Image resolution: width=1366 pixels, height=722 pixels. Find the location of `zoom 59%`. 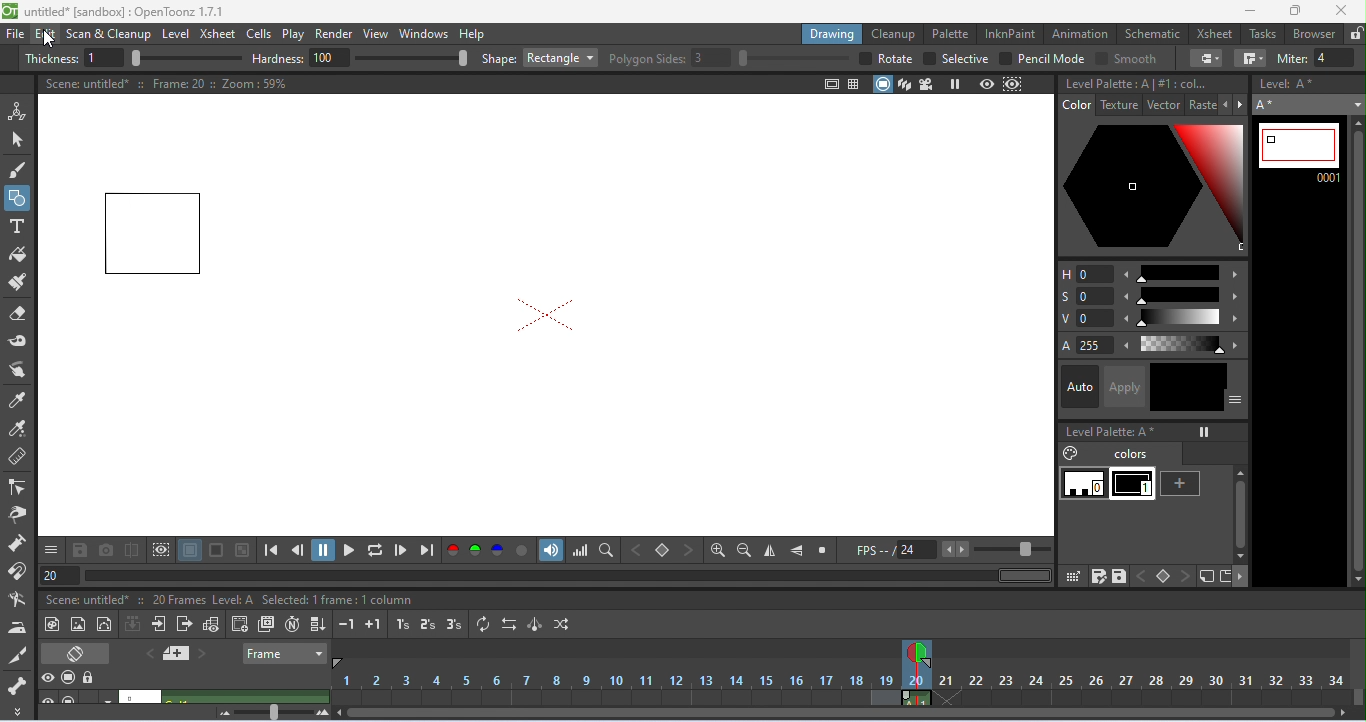

zoom 59% is located at coordinates (249, 83).